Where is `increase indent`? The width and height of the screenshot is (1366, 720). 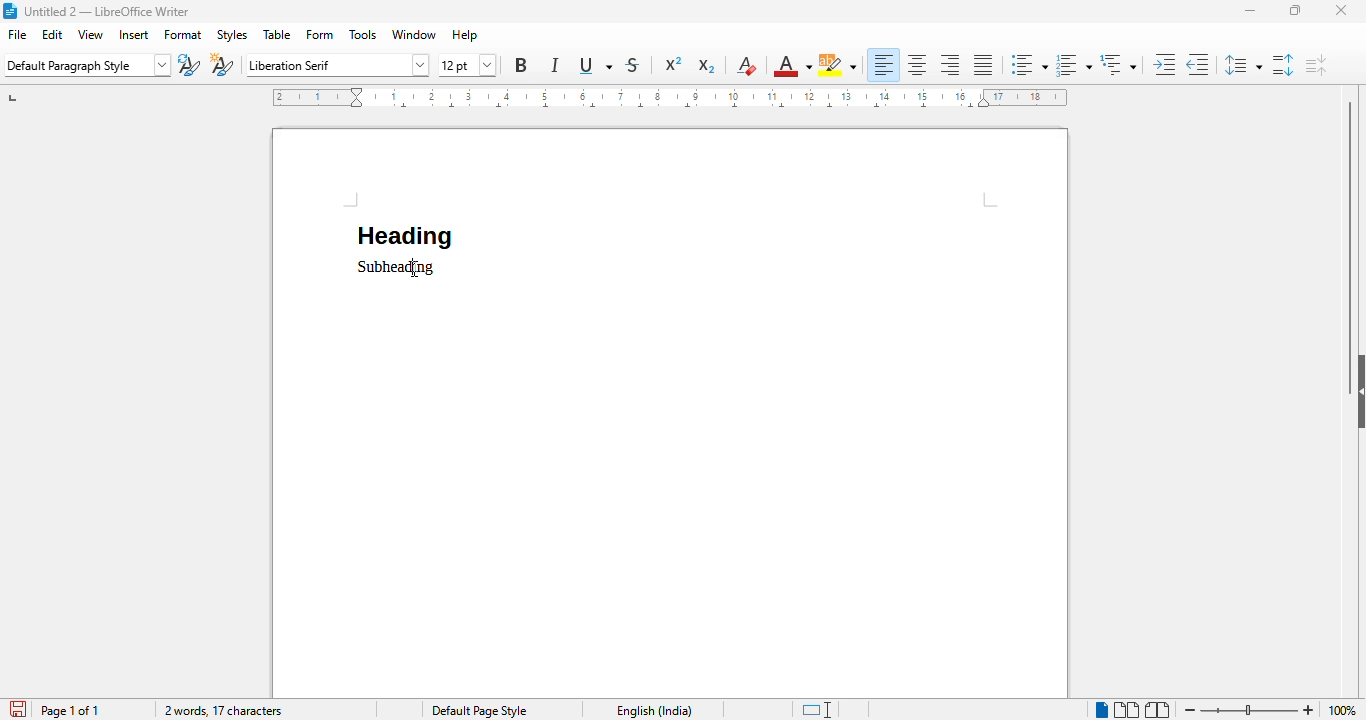 increase indent is located at coordinates (1163, 64).